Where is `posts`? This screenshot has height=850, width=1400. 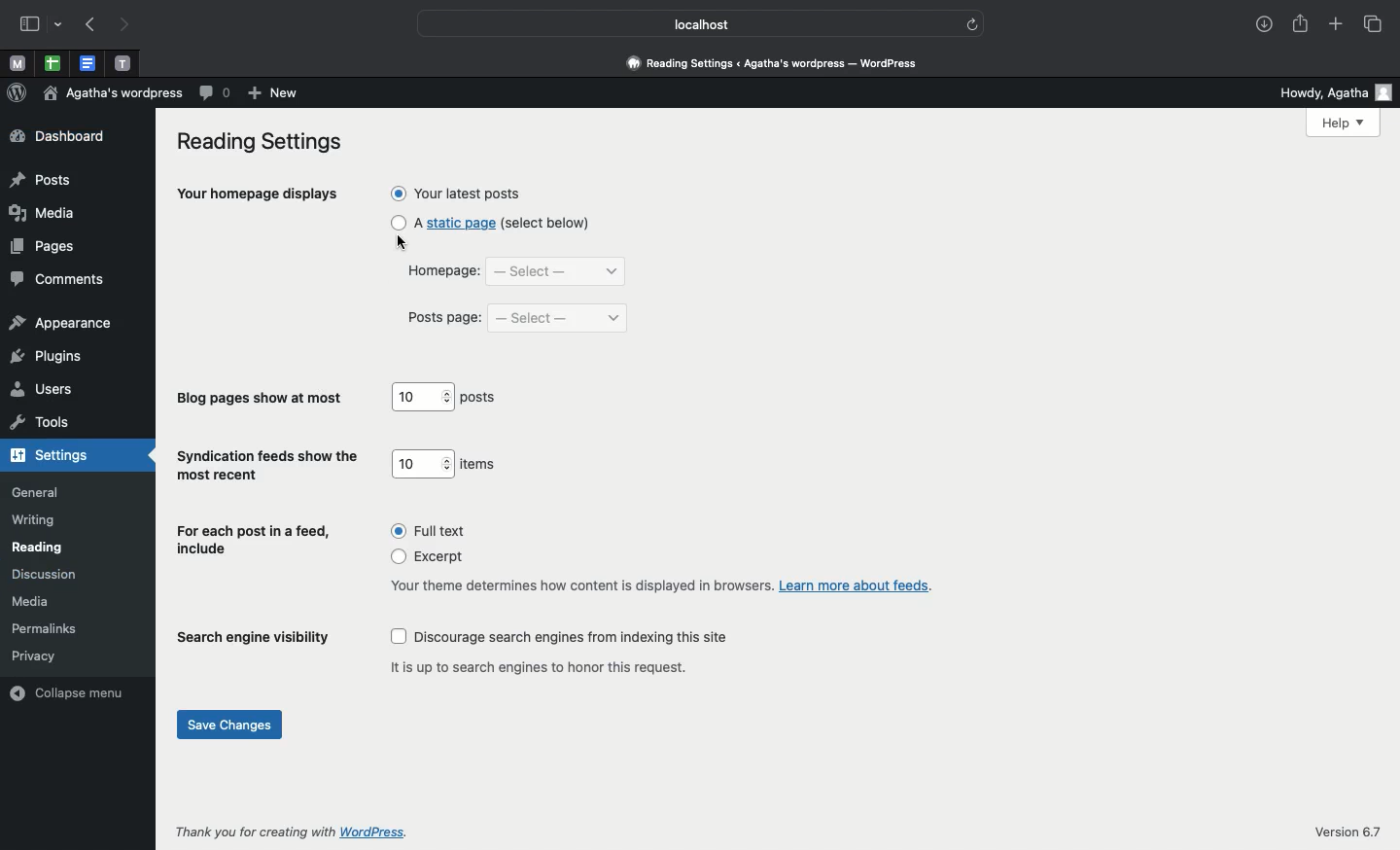 posts is located at coordinates (482, 399).